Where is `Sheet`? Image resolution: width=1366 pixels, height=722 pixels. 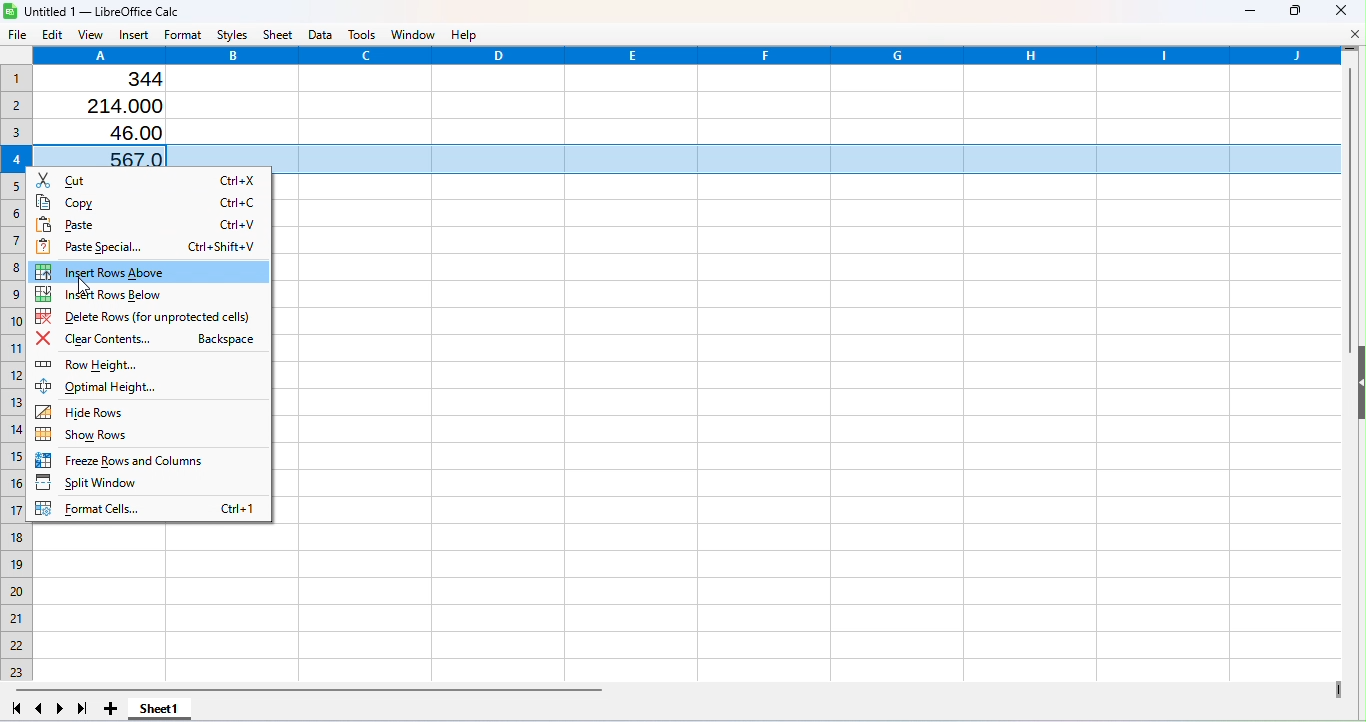
Sheet is located at coordinates (280, 34).